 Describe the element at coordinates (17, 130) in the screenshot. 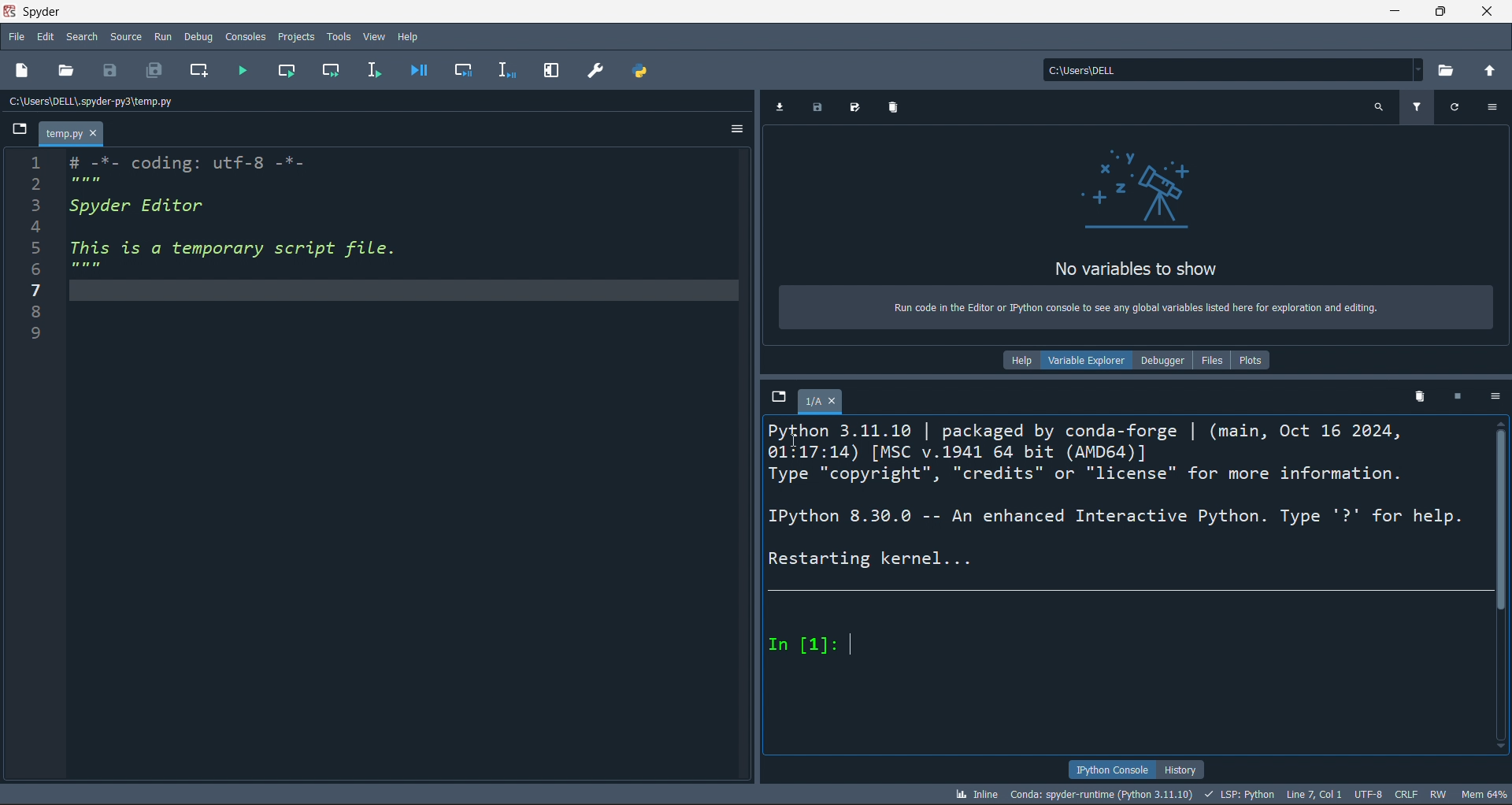

I see `browse tabs` at that location.